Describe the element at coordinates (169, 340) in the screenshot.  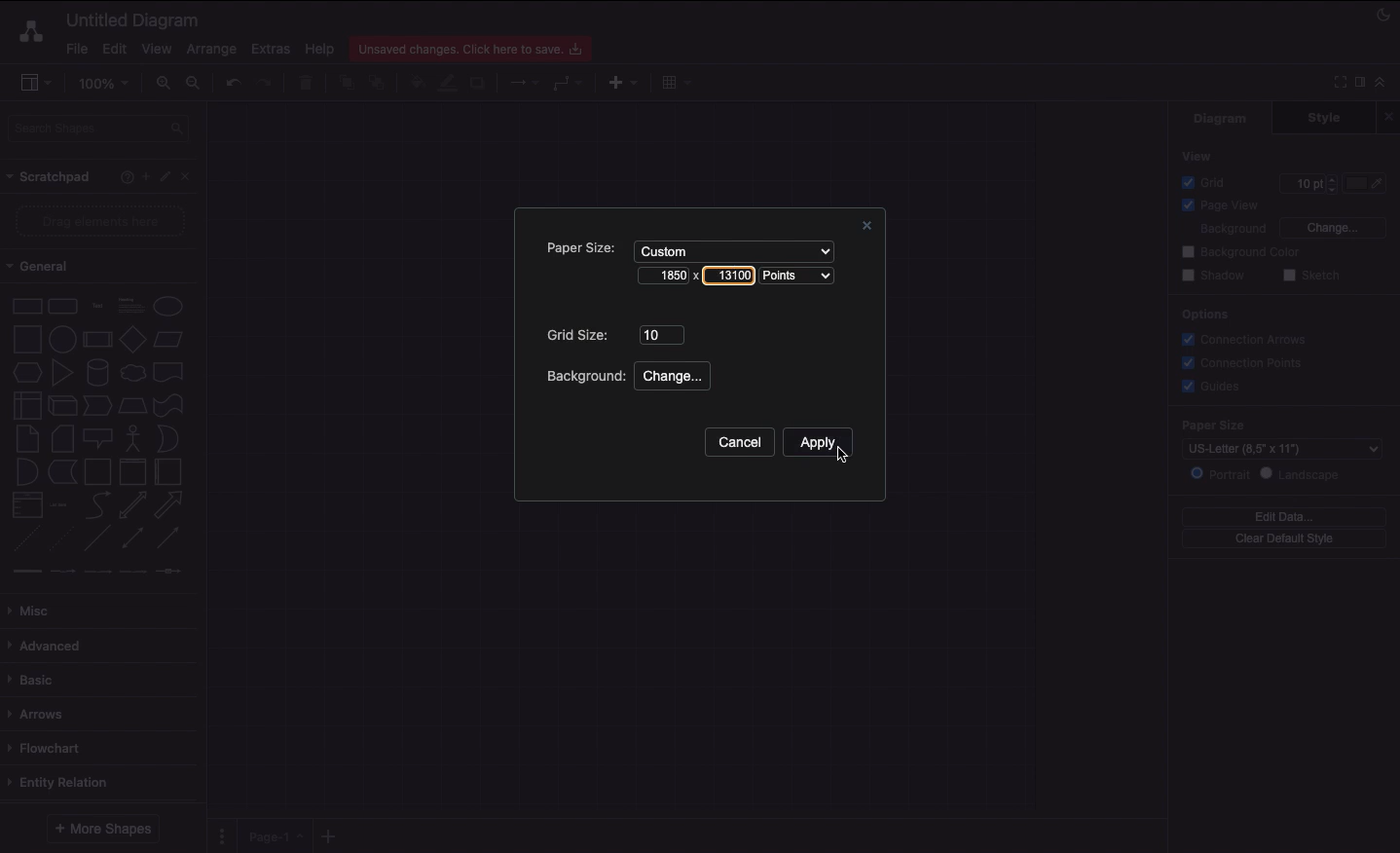
I see `Parallelogram` at that location.